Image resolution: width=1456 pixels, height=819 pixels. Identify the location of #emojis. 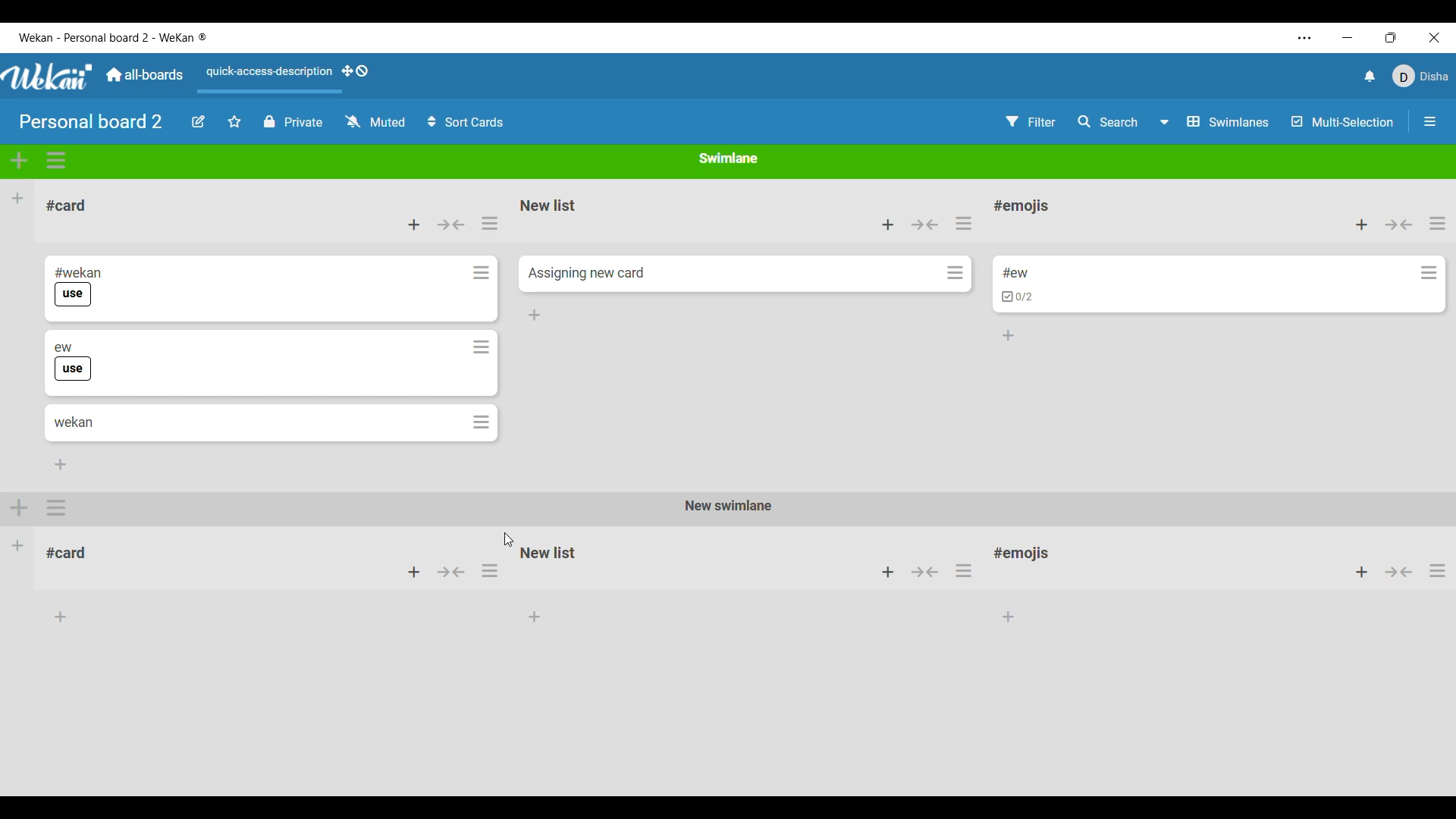
(1018, 555).